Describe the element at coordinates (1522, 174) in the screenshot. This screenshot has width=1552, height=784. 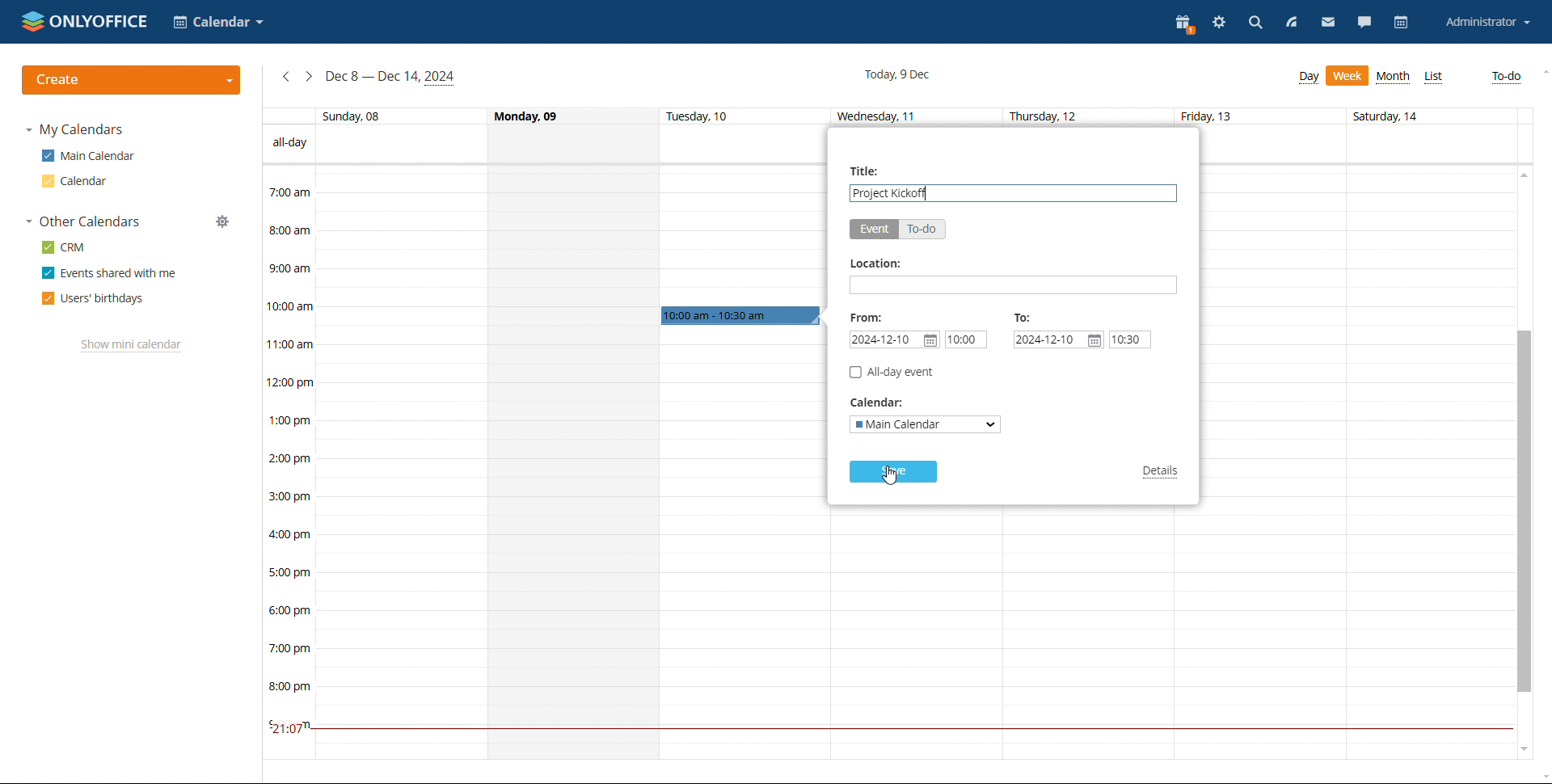
I see `scroll up` at that location.